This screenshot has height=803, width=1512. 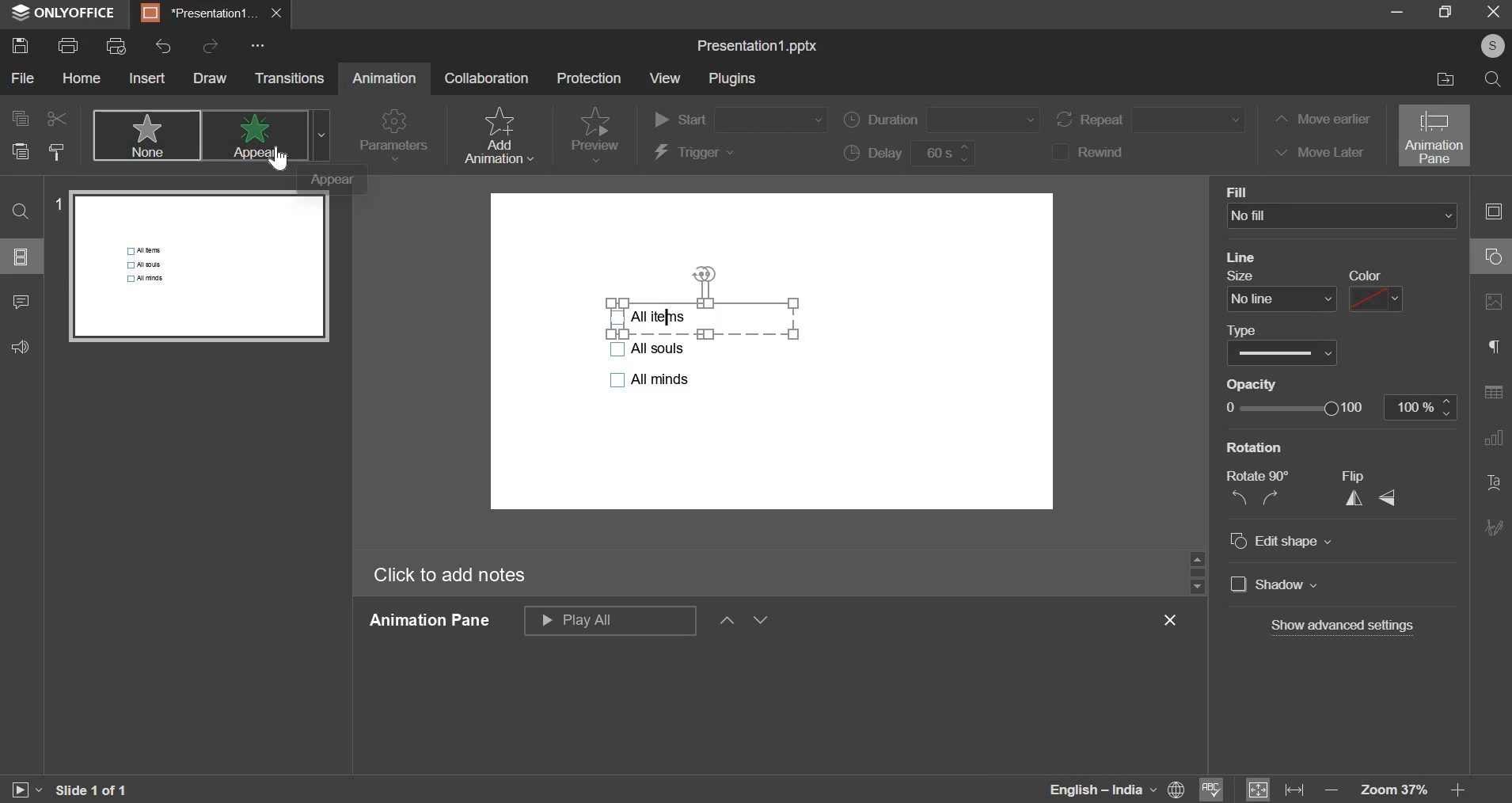 What do you see at coordinates (1445, 13) in the screenshot?
I see `maximize` at bounding box center [1445, 13].